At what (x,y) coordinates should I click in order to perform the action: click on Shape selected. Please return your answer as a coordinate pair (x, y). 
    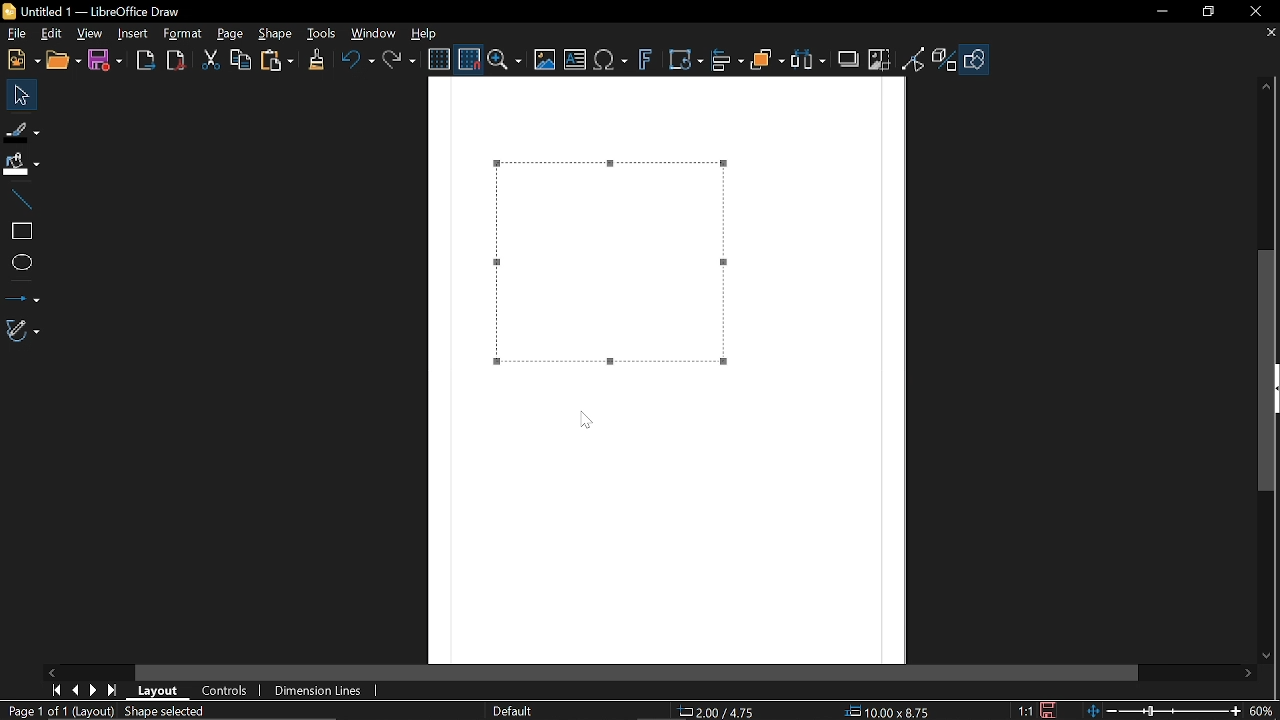
    Looking at the image, I should click on (182, 712).